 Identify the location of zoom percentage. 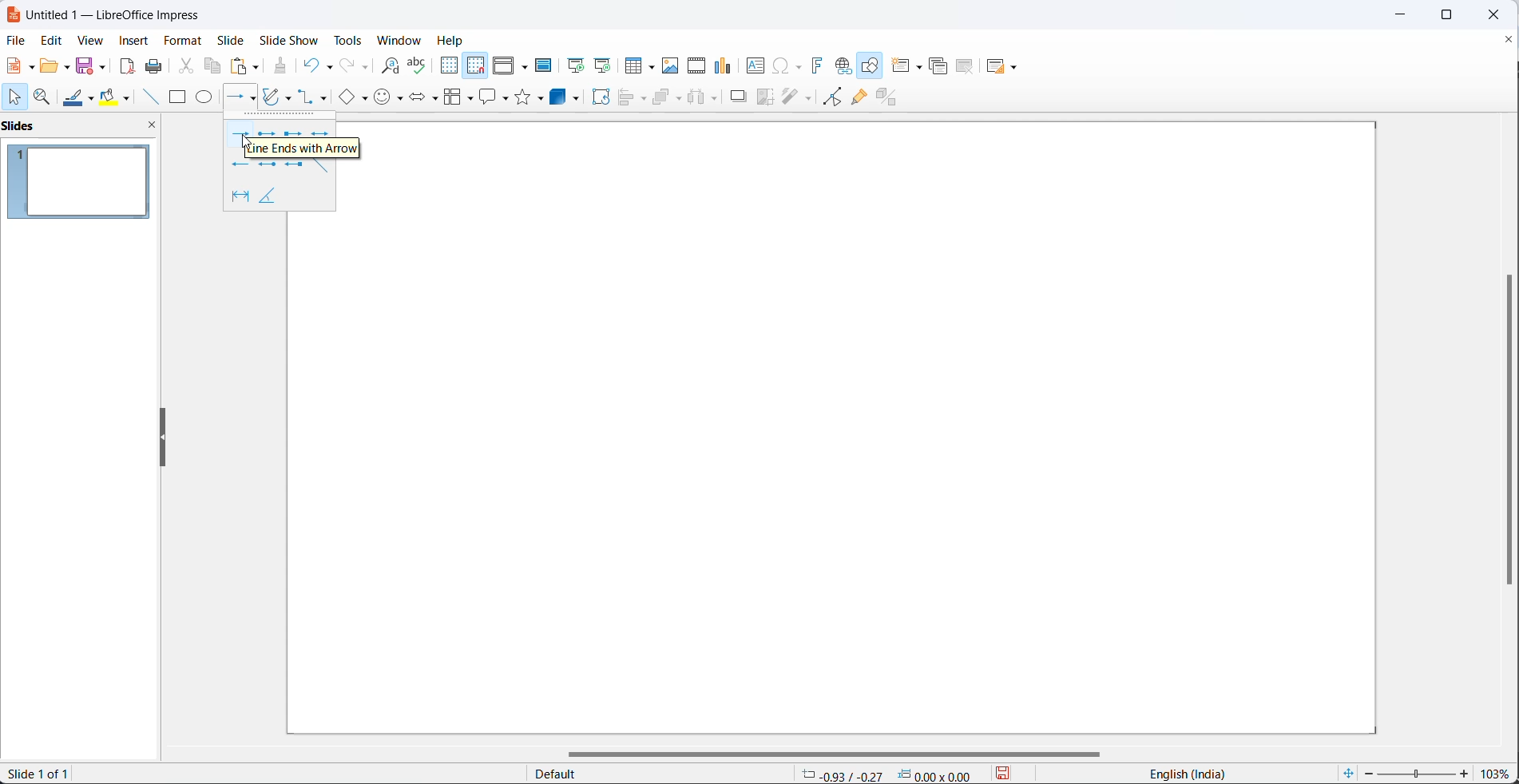
(1499, 771).